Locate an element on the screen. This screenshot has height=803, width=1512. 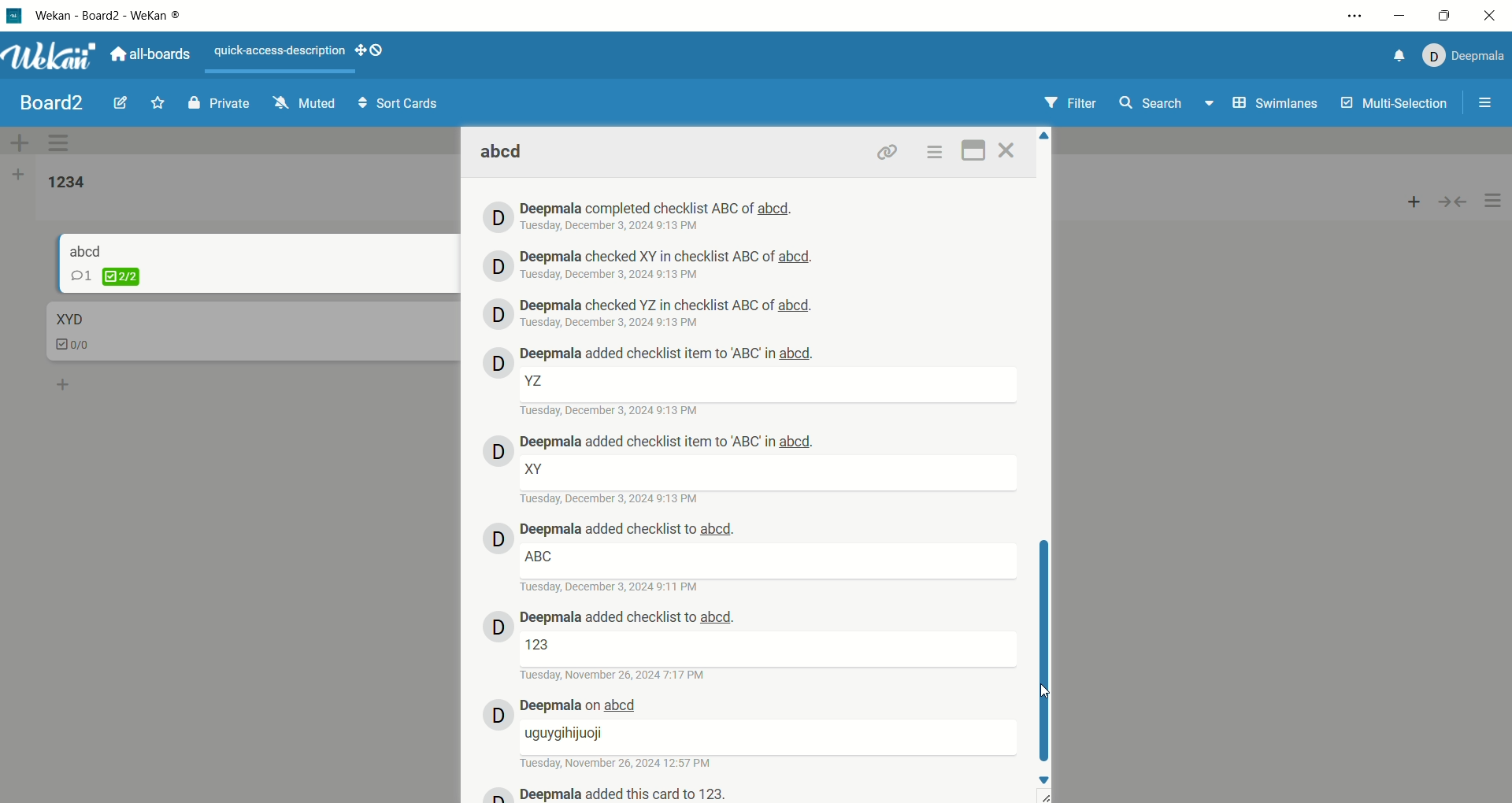
swimlane actions is located at coordinates (62, 144).